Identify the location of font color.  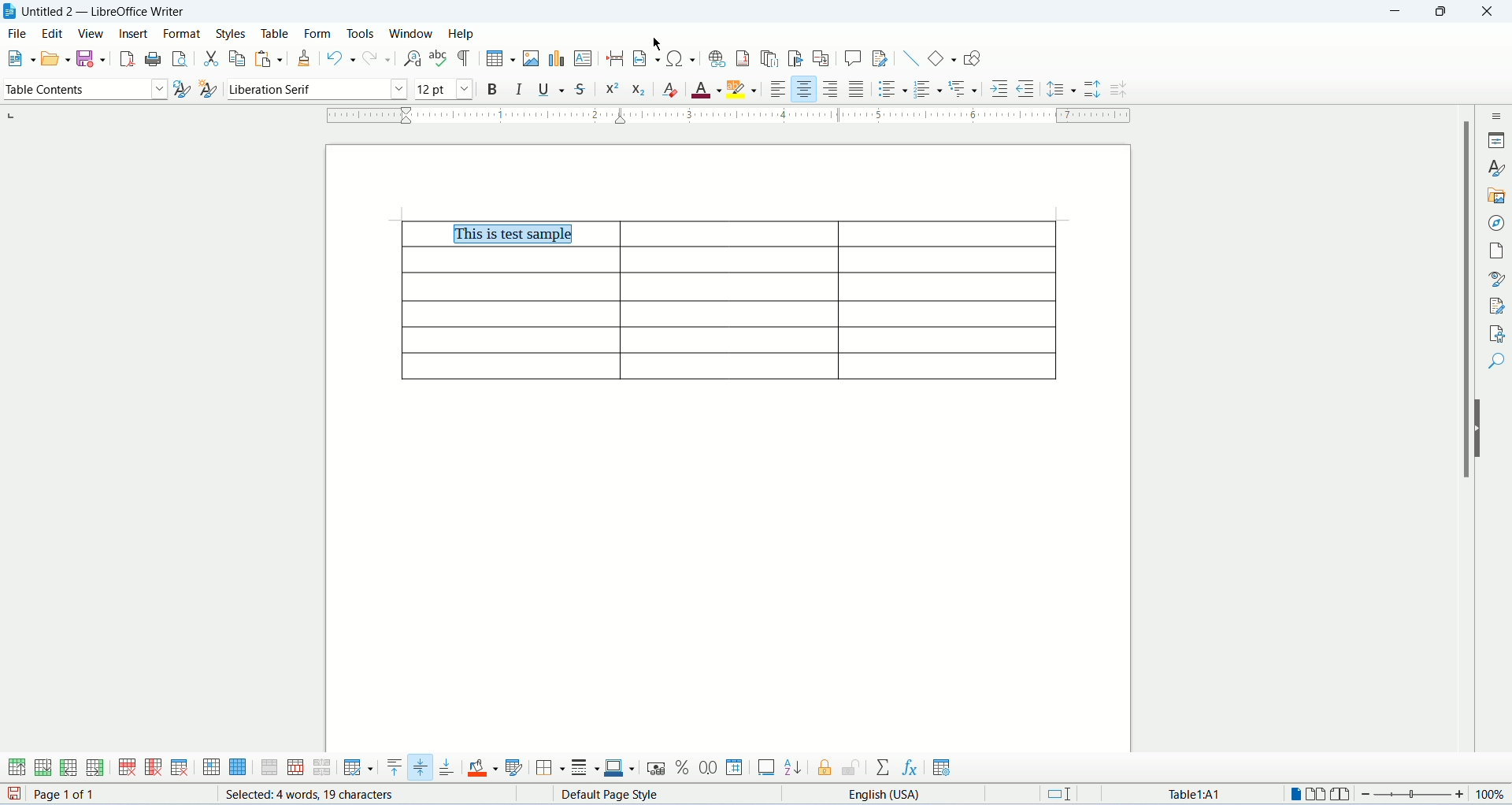
(705, 87).